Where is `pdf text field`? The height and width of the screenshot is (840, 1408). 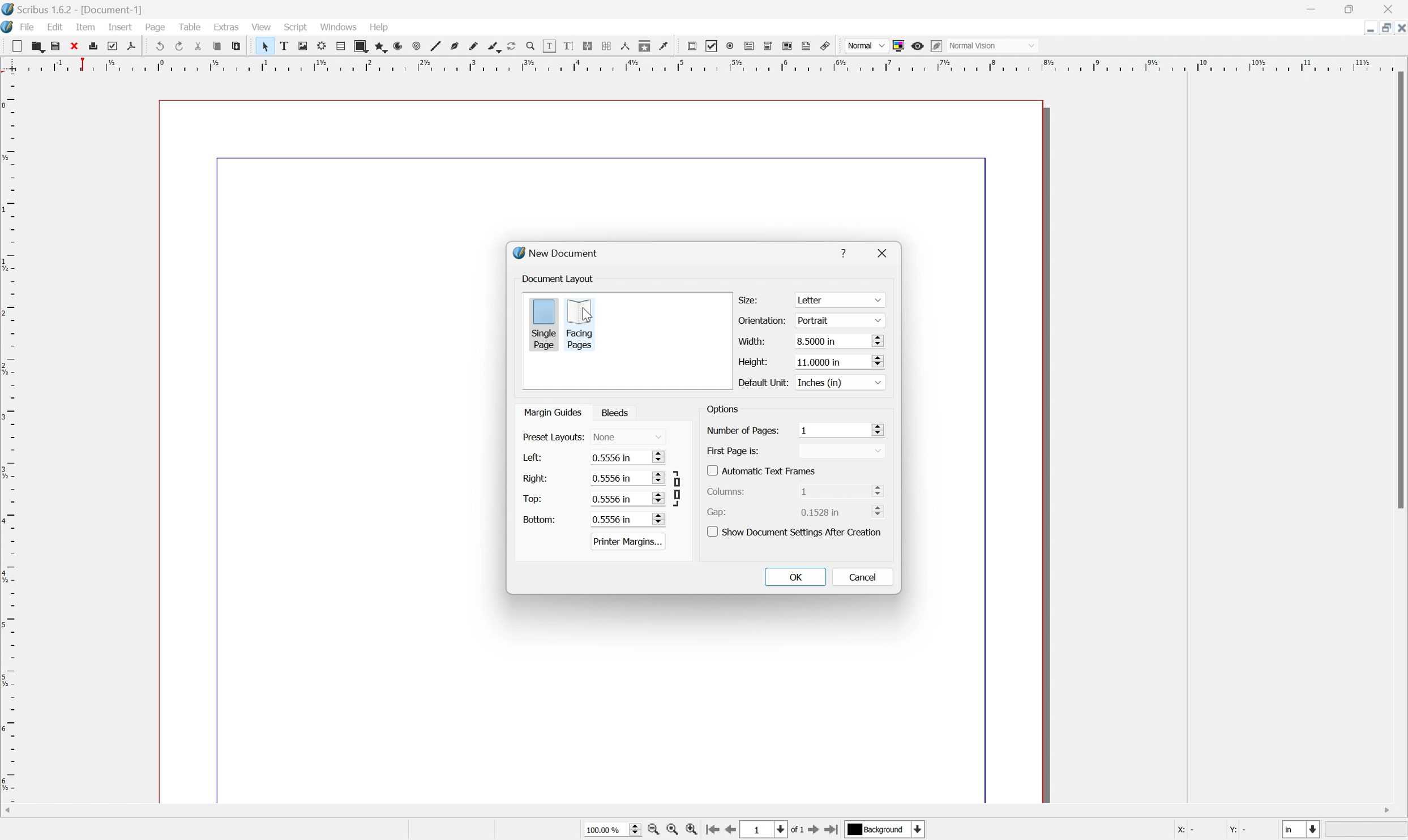
pdf text field is located at coordinates (751, 45).